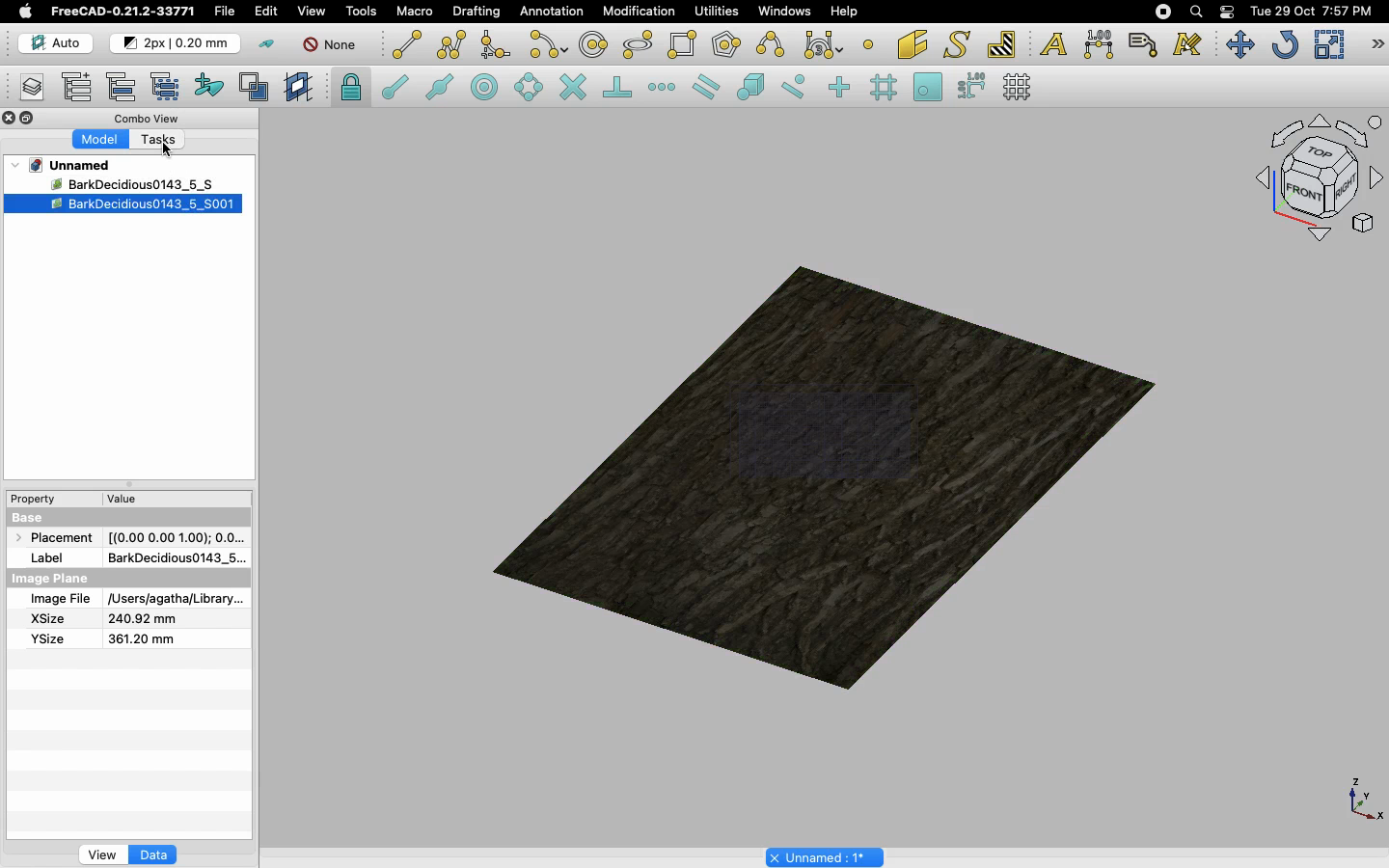  I want to click on Move to group, so click(124, 87).